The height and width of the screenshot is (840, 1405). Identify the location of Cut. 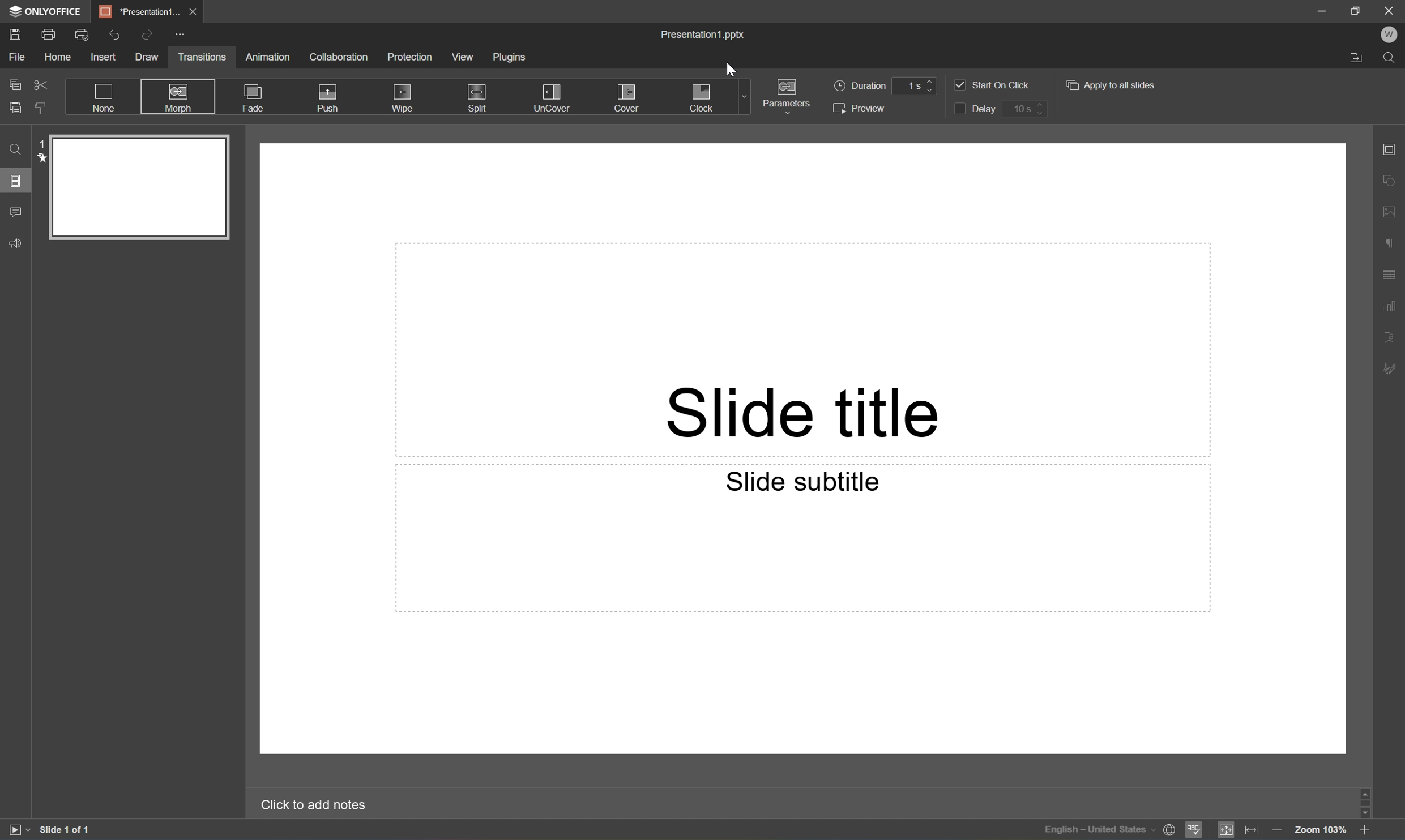
(40, 83).